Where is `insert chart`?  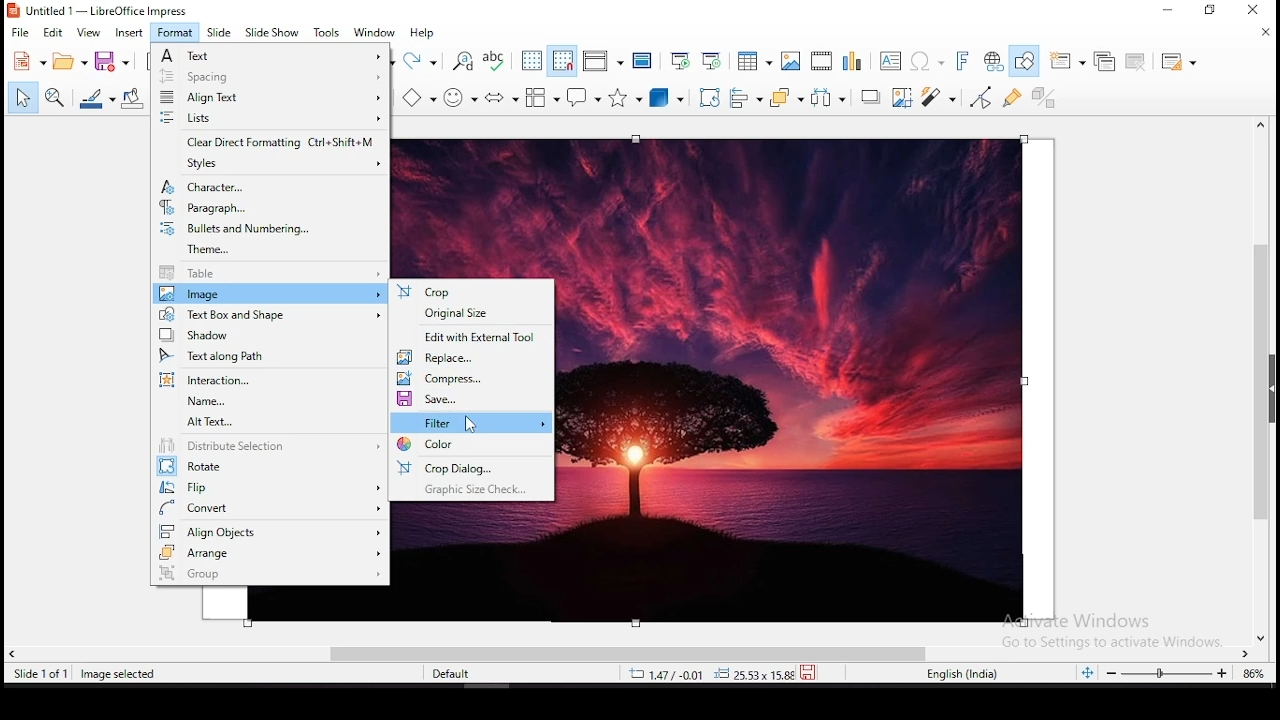 insert chart is located at coordinates (851, 62).